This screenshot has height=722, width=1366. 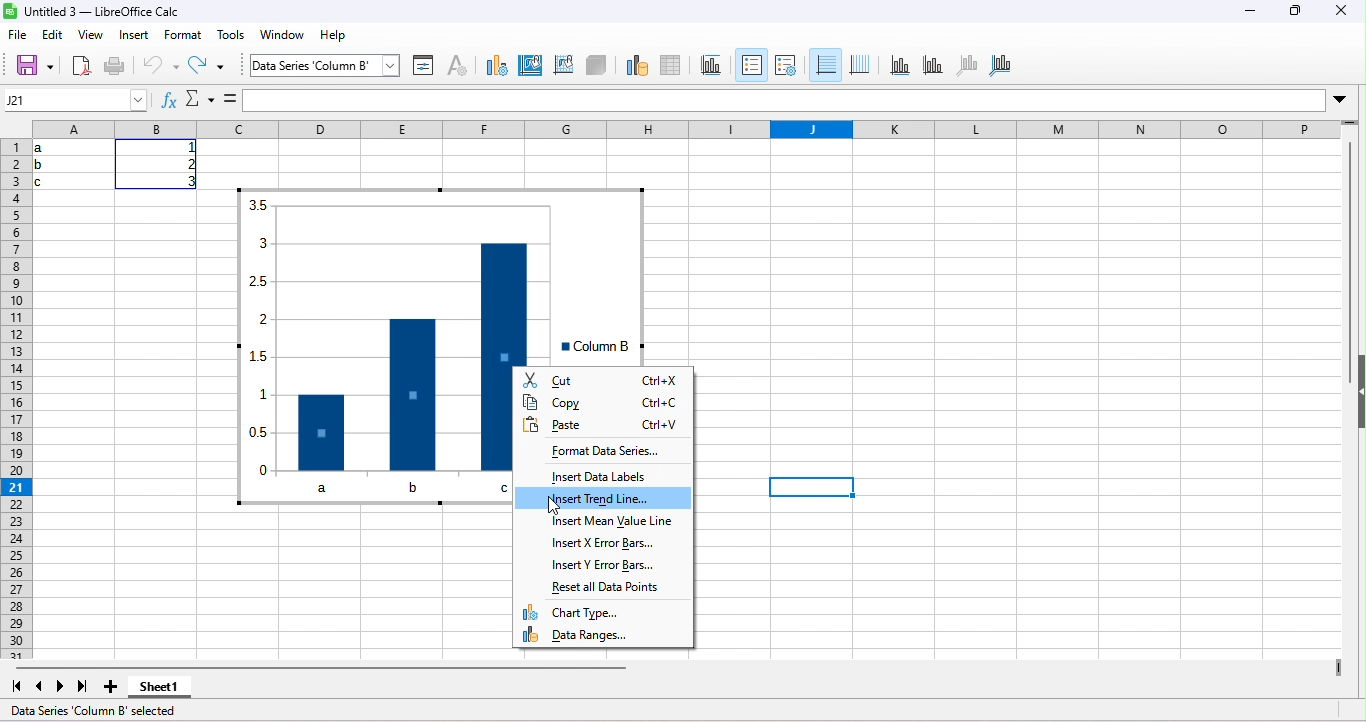 What do you see at coordinates (181, 36) in the screenshot?
I see `format` at bounding box center [181, 36].